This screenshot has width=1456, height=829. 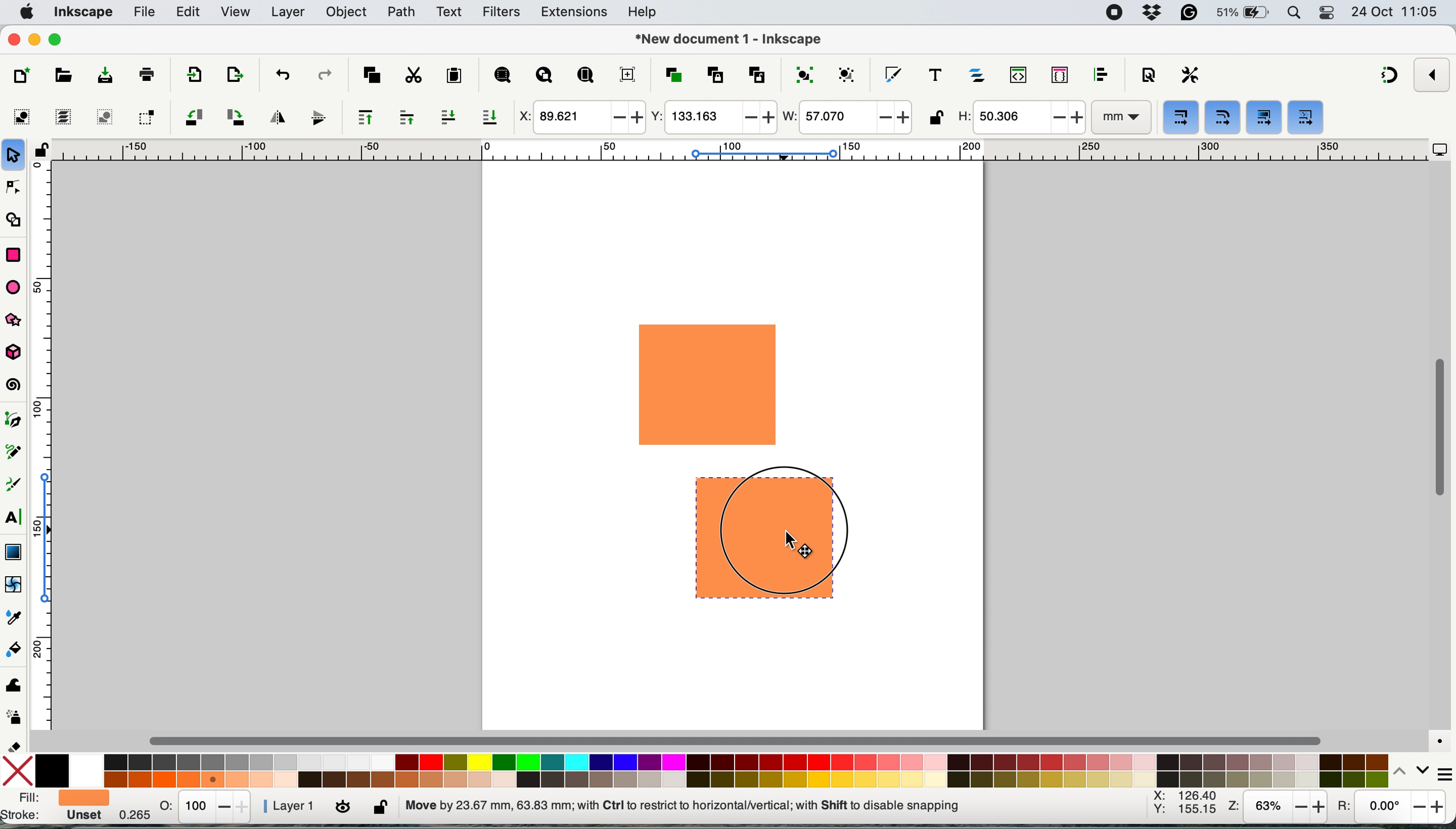 I want to click on tweak tool, so click(x=13, y=683).